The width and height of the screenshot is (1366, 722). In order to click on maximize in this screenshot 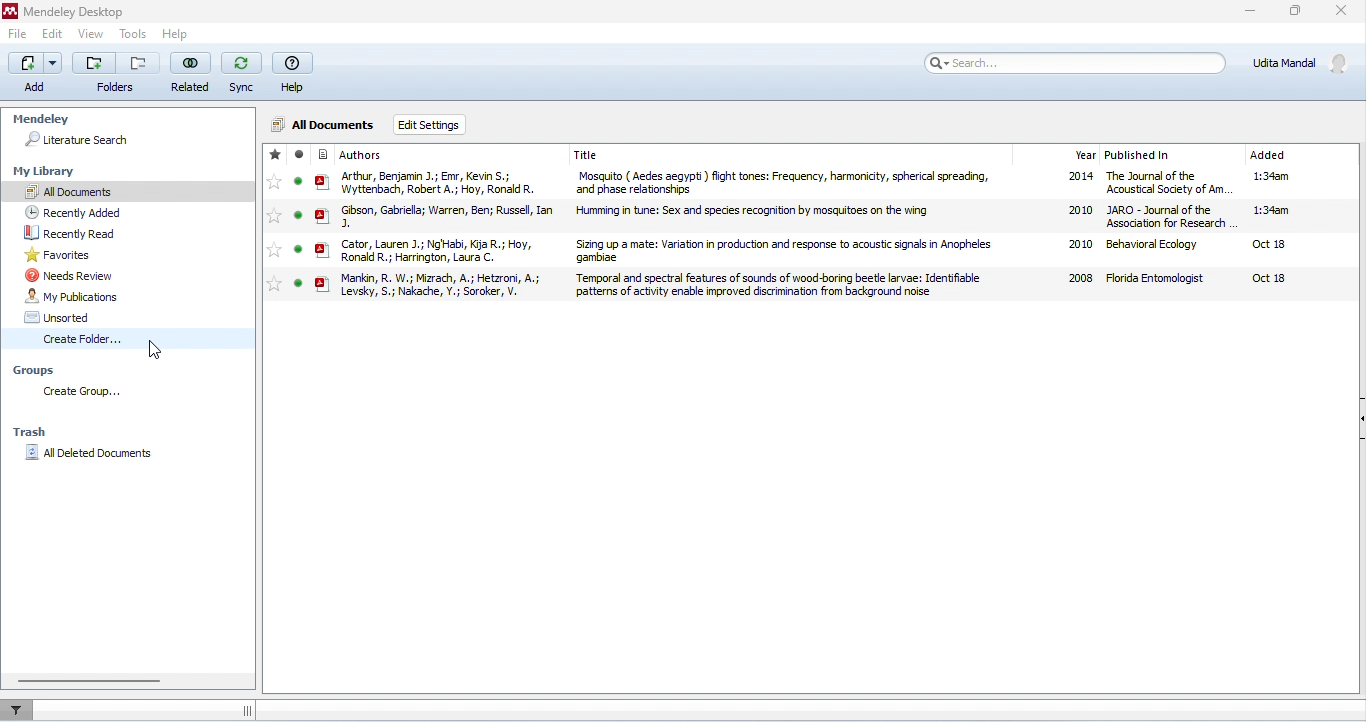, I will do `click(1293, 11)`.